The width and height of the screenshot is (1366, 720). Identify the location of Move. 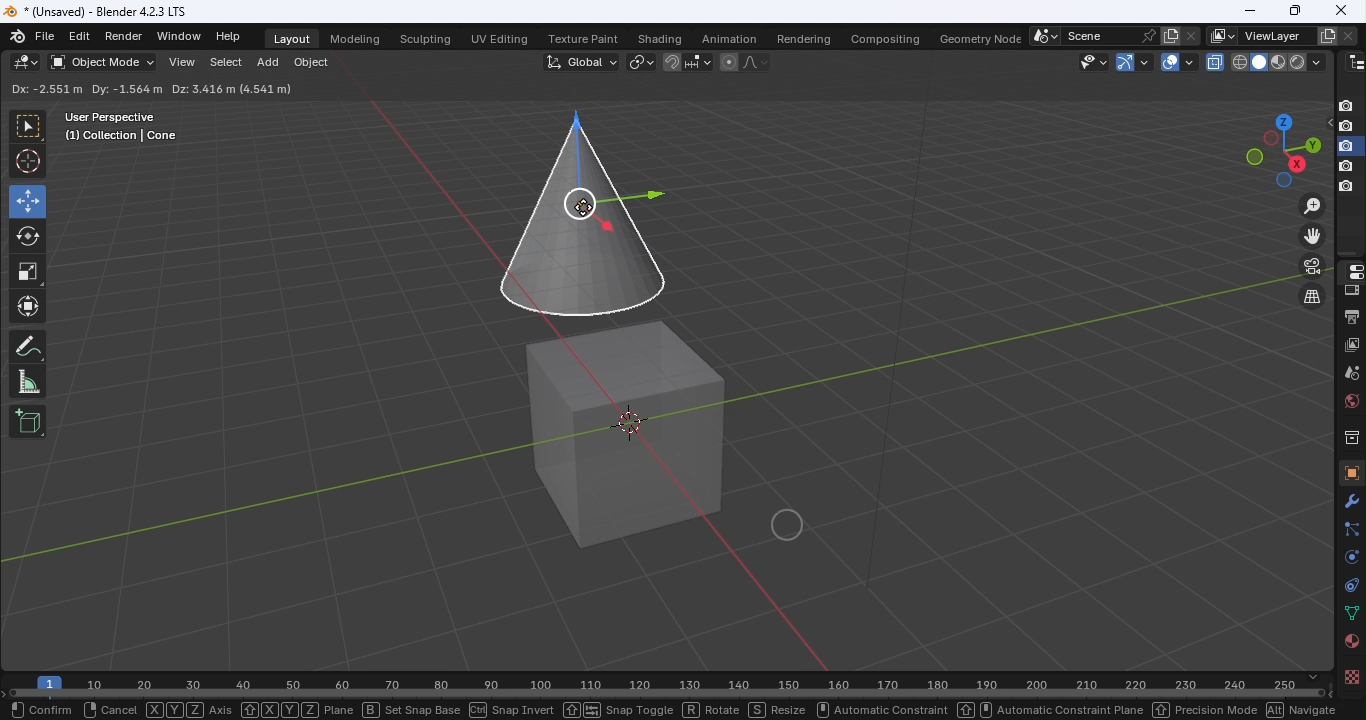
(27, 200).